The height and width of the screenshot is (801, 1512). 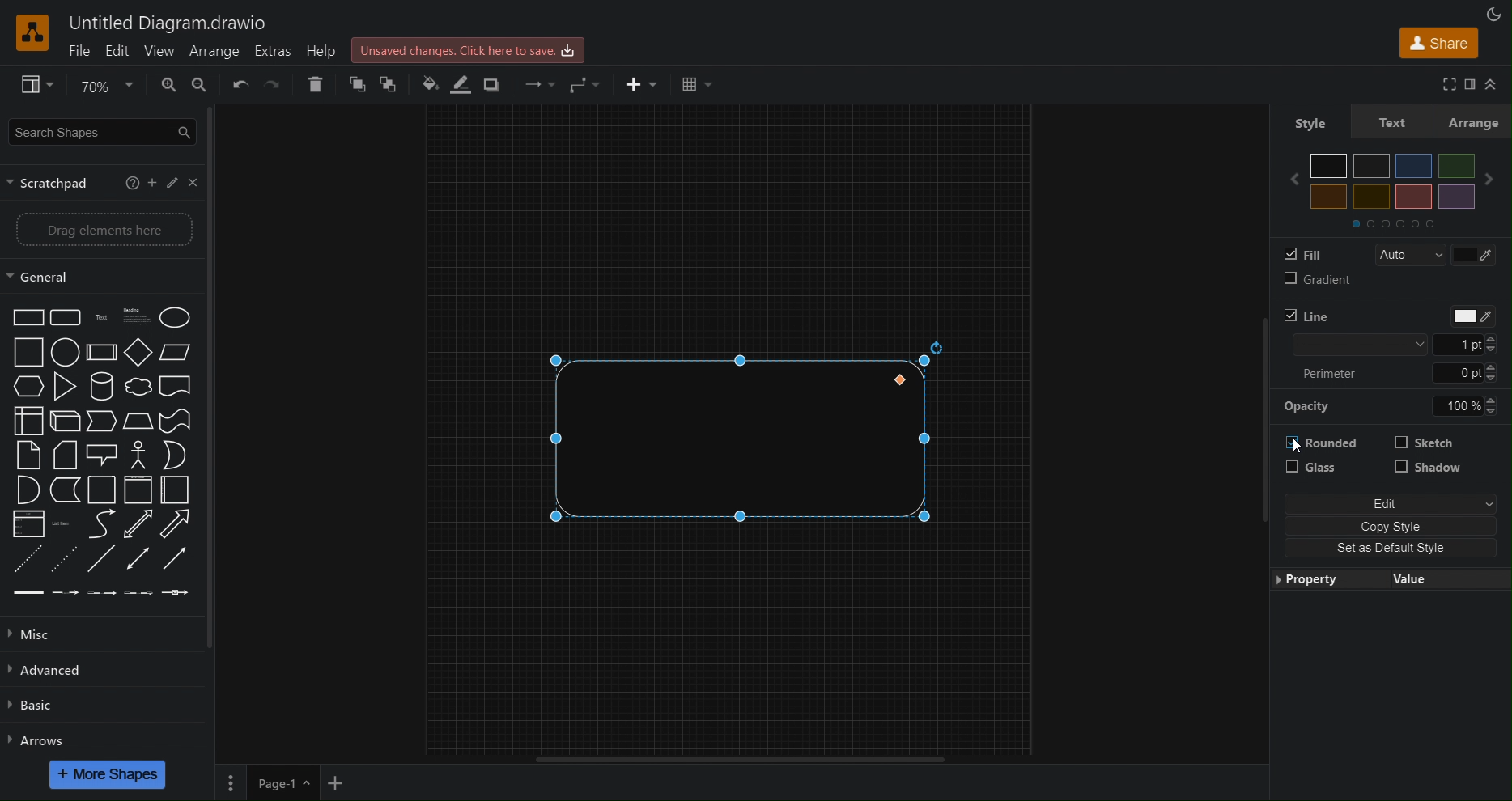 What do you see at coordinates (53, 671) in the screenshot?
I see `Advanced` at bounding box center [53, 671].